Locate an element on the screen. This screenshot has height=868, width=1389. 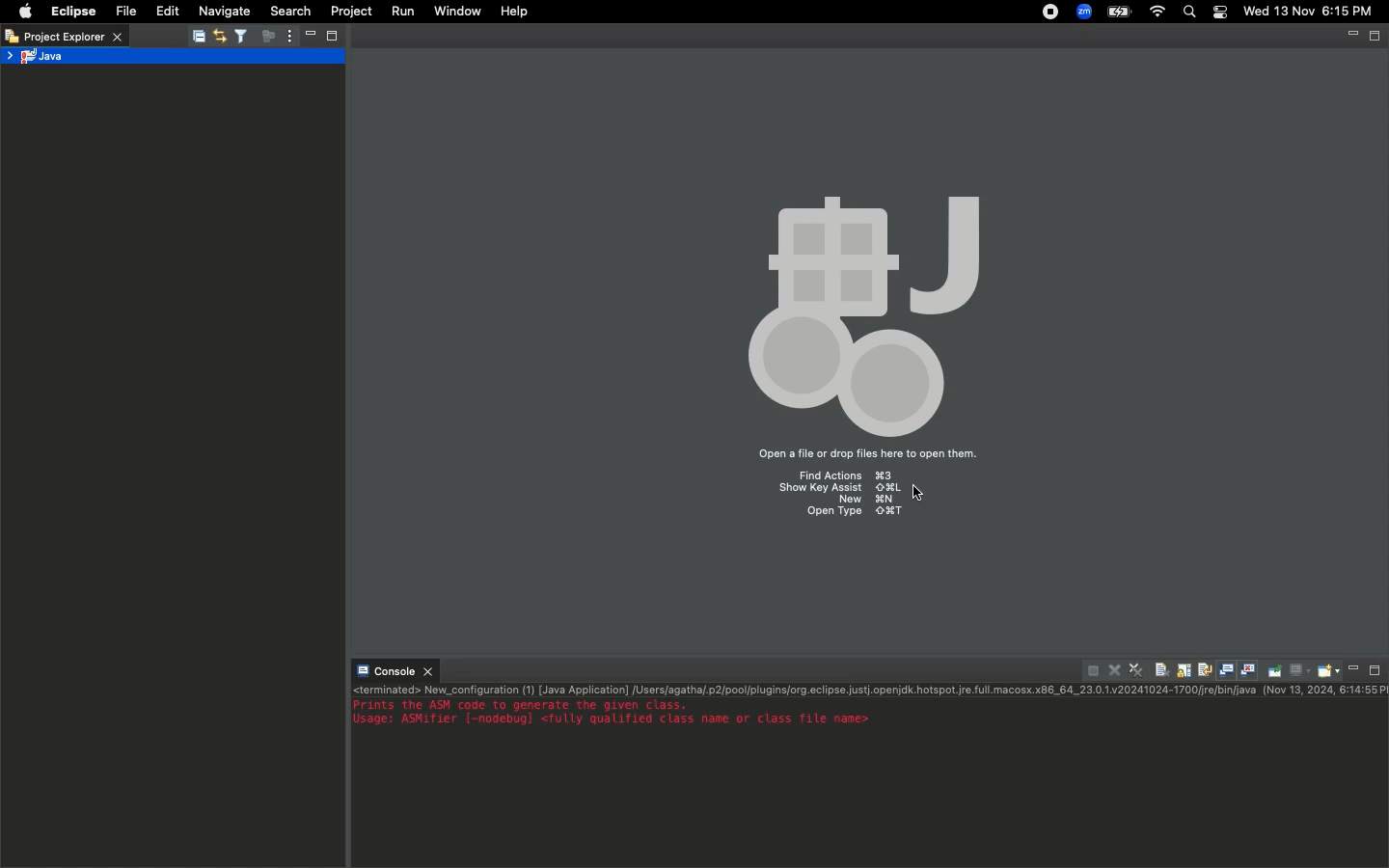
Minimize is located at coordinates (311, 36).